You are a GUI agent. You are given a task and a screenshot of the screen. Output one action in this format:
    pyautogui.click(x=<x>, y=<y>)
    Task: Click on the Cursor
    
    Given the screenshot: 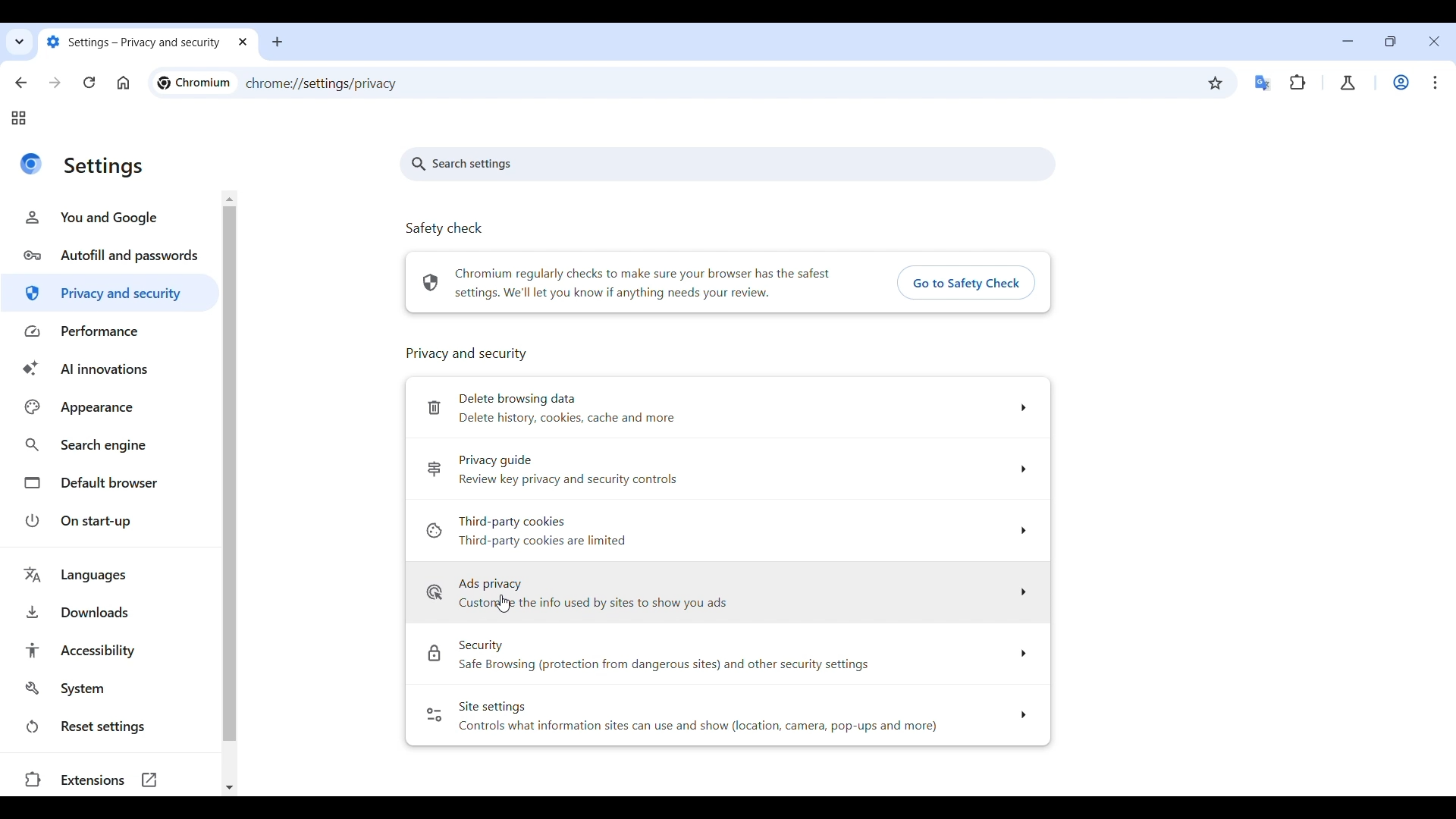 What is the action you would take?
    pyautogui.click(x=502, y=603)
    